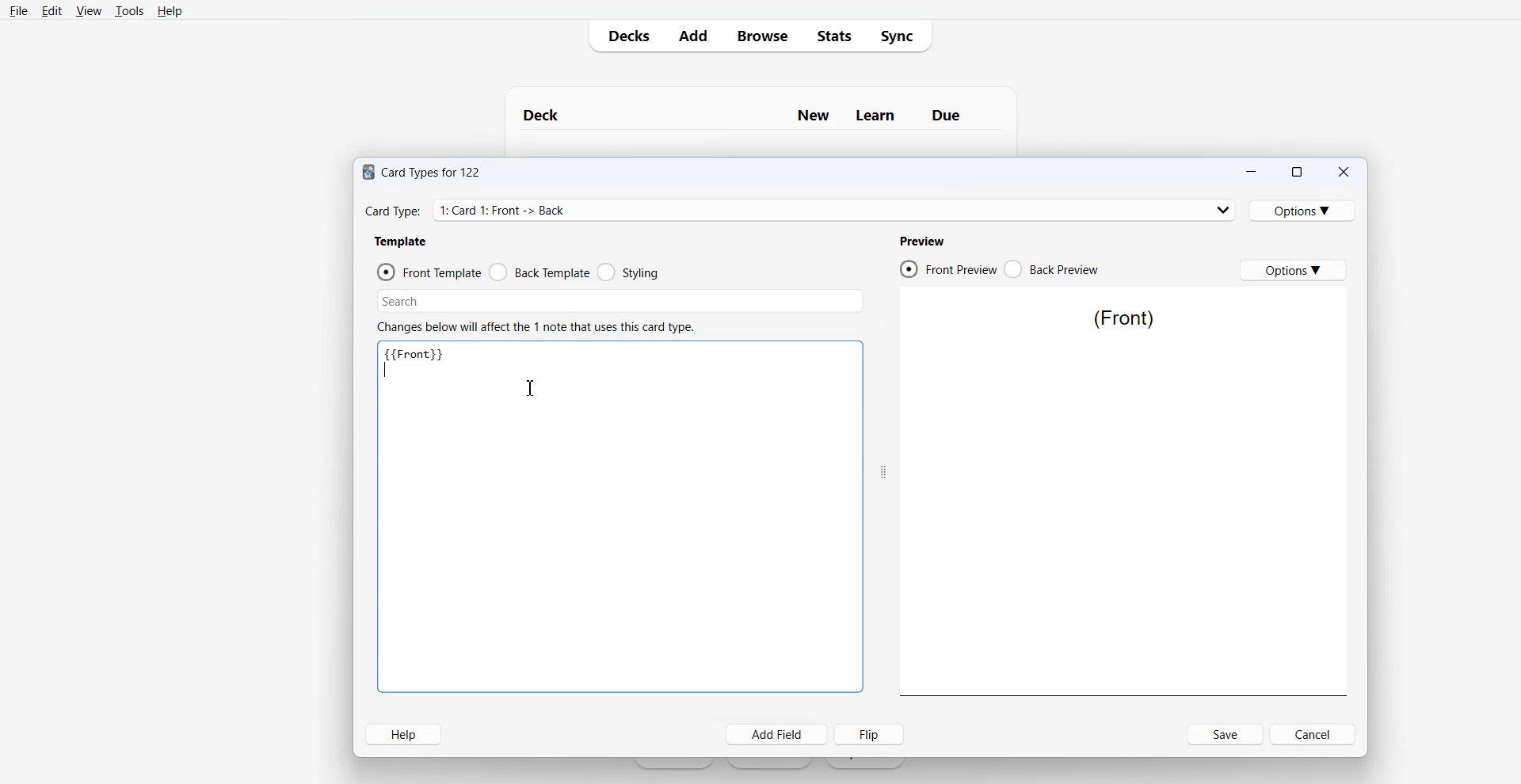 The width and height of the screenshot is (1521, 784). What do you see at coordinates (539, 272) in the screenshot?
I see `Back template` at bounding box center [539, 272].